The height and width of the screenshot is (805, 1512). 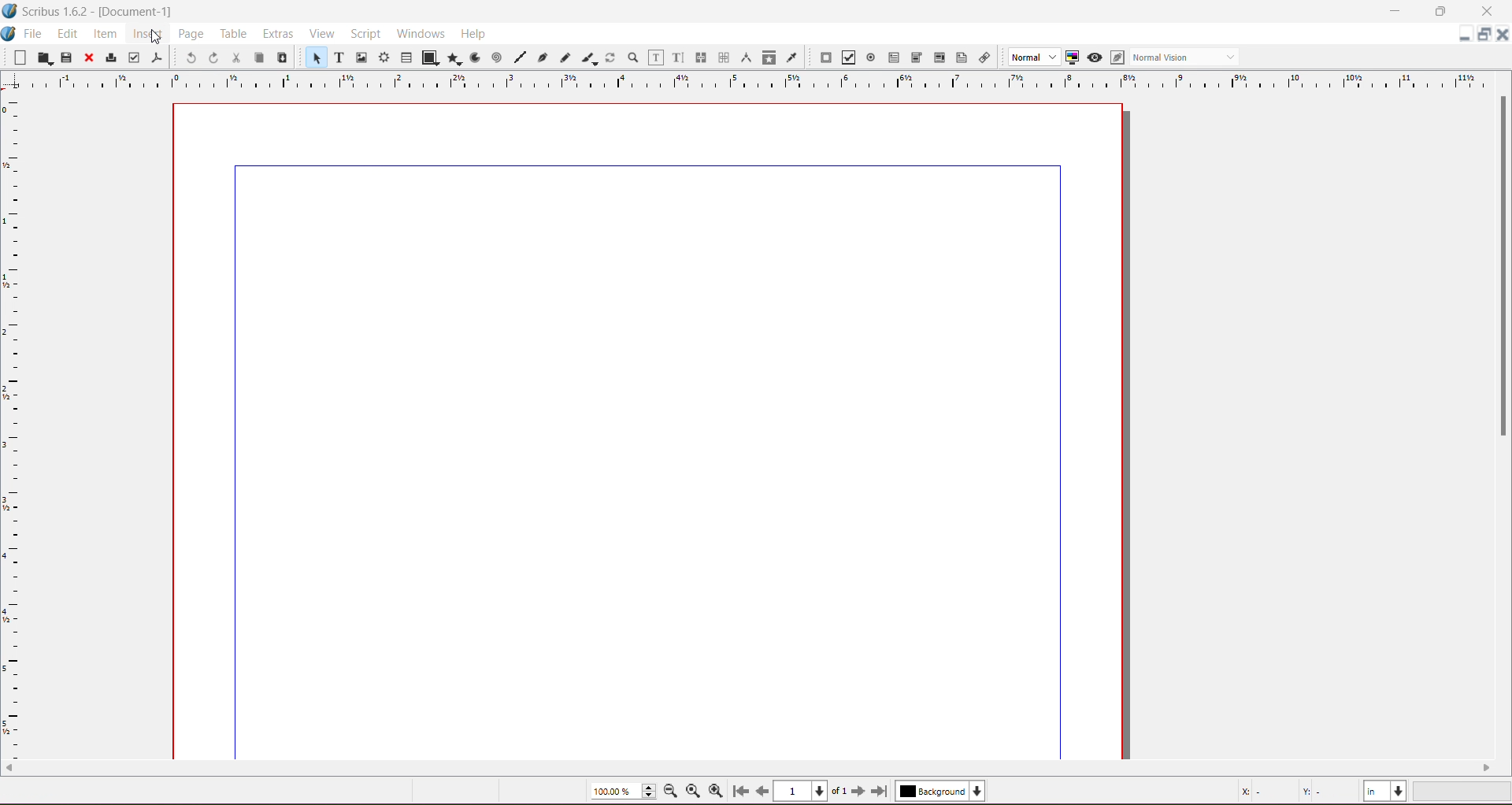 I want to click on Paste, so click(x=282, y=56).